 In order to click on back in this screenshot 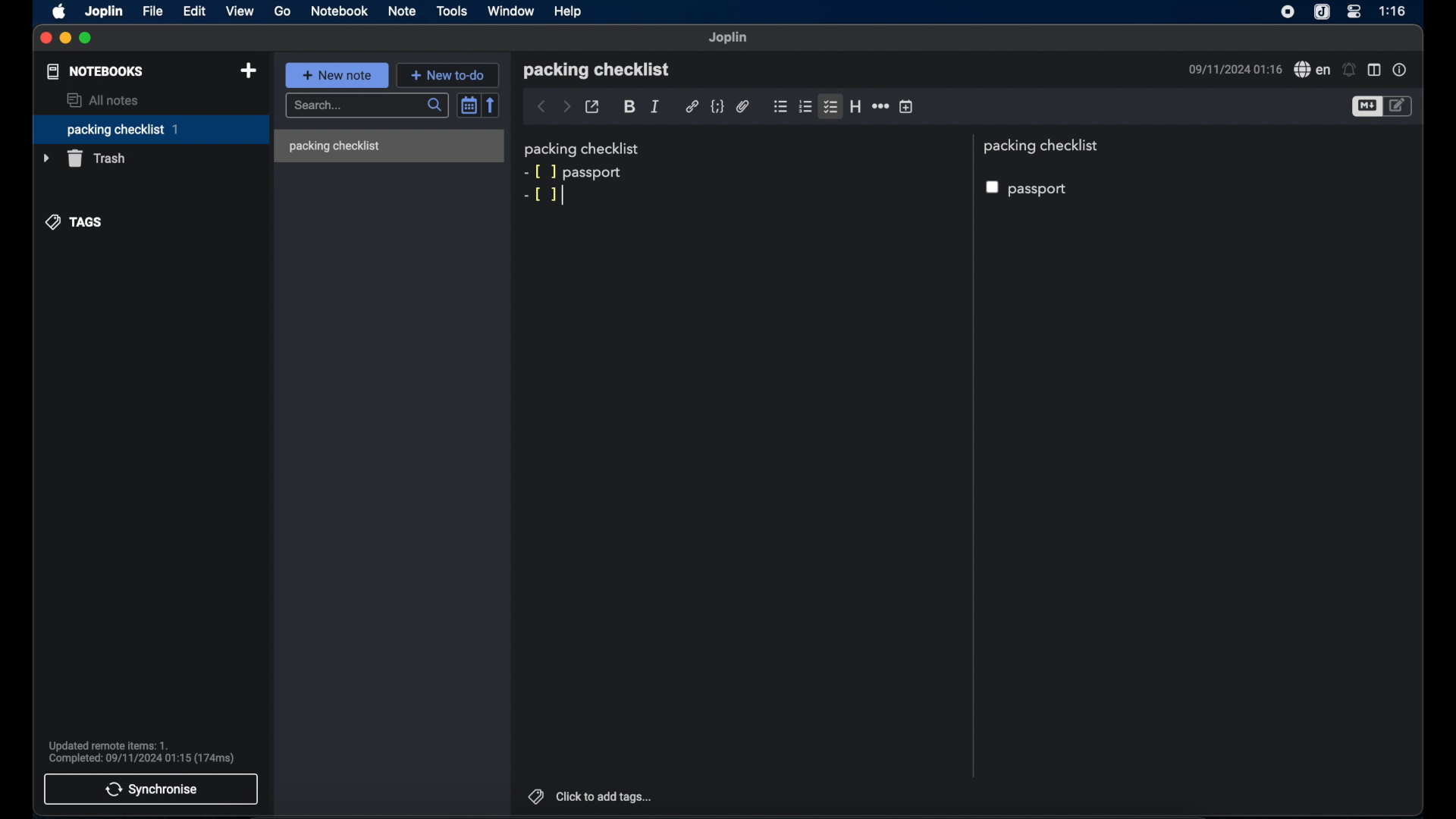, I will do `click(541, 107)`.